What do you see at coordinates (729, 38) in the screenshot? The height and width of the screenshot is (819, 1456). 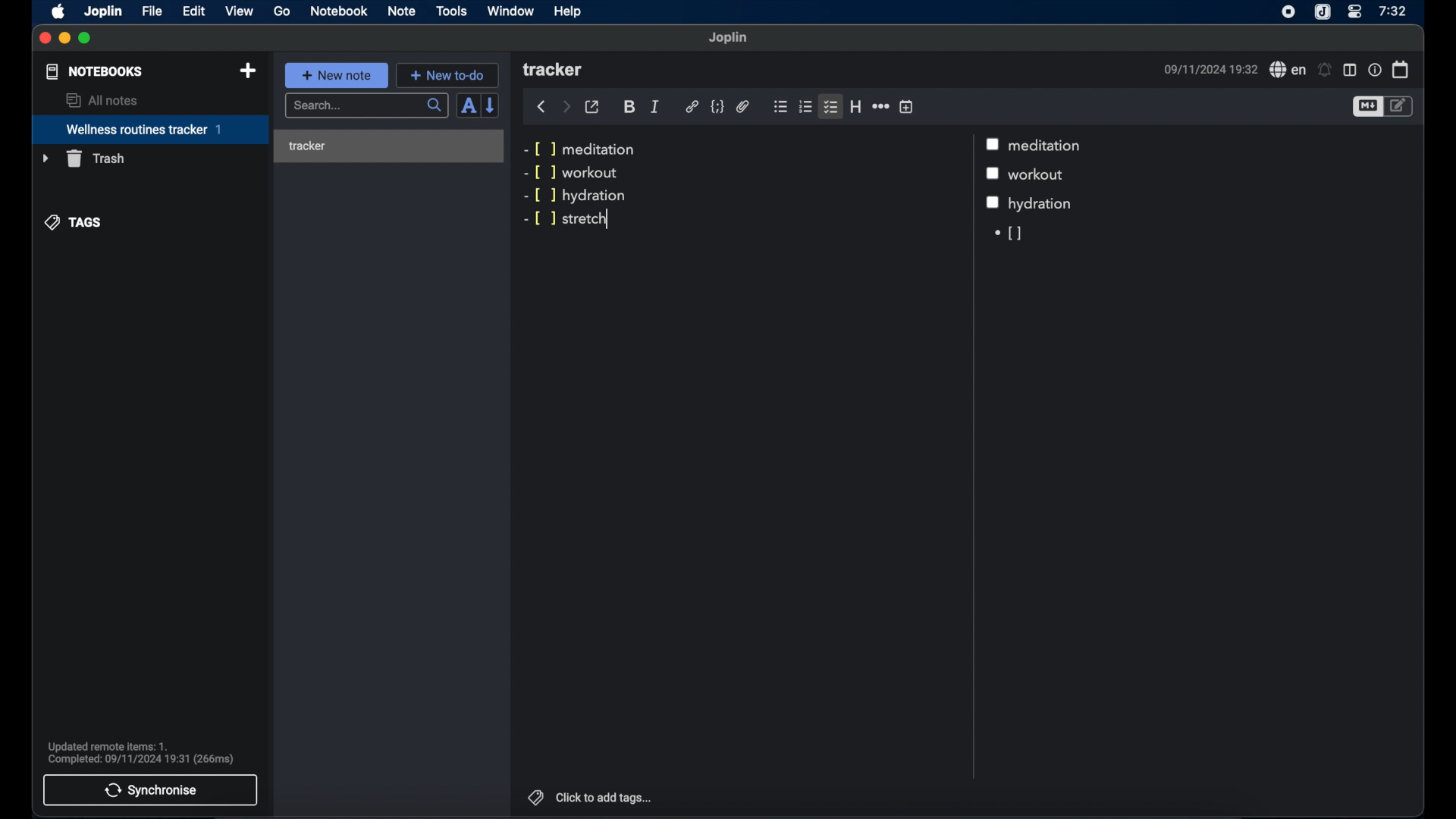 I see `joplin` at bounding box center [729, 38].